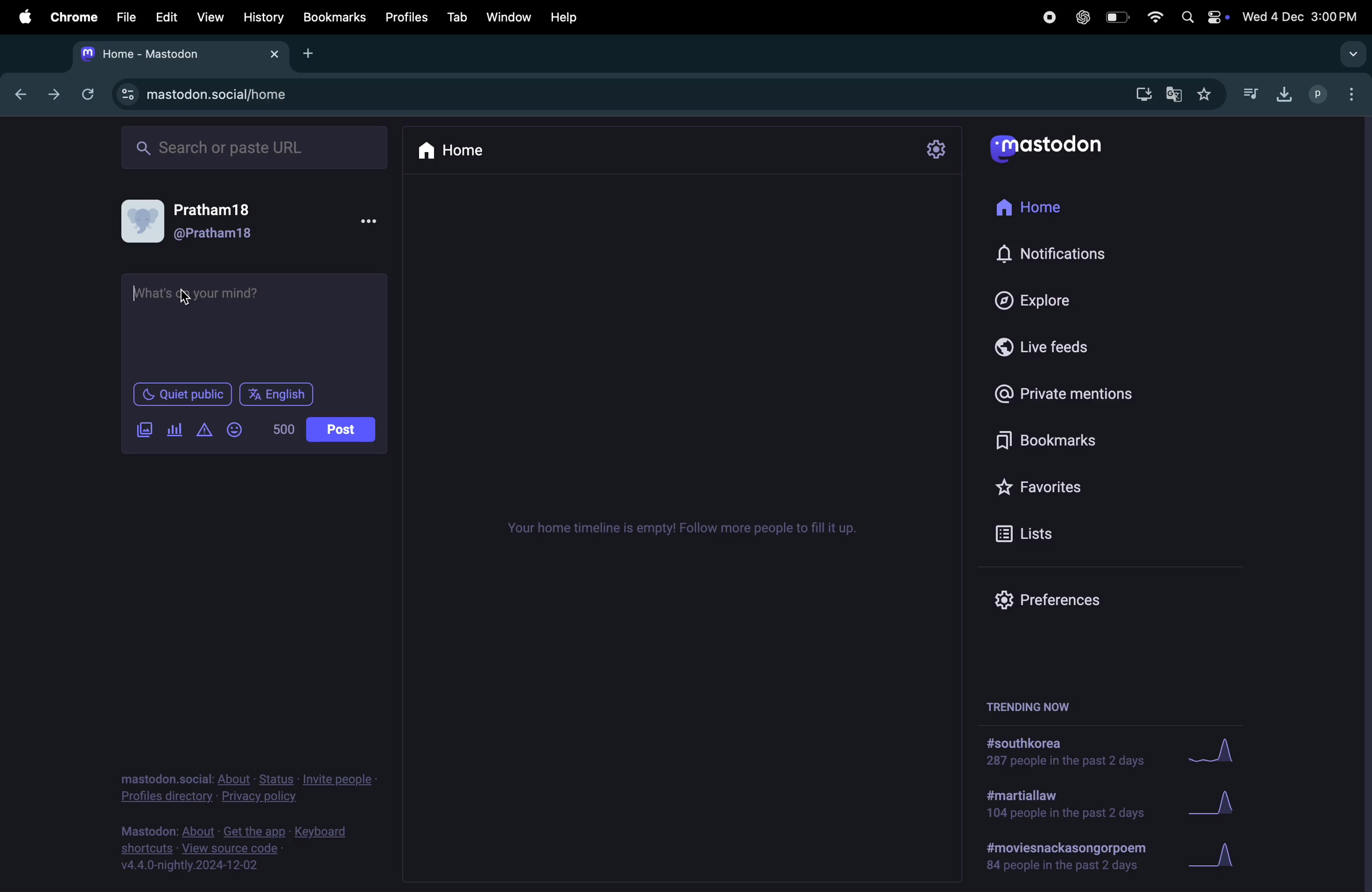 Image resolution: width=1372 pixels, height=892 pixels. I want to click on book mark, so click(334, 17).